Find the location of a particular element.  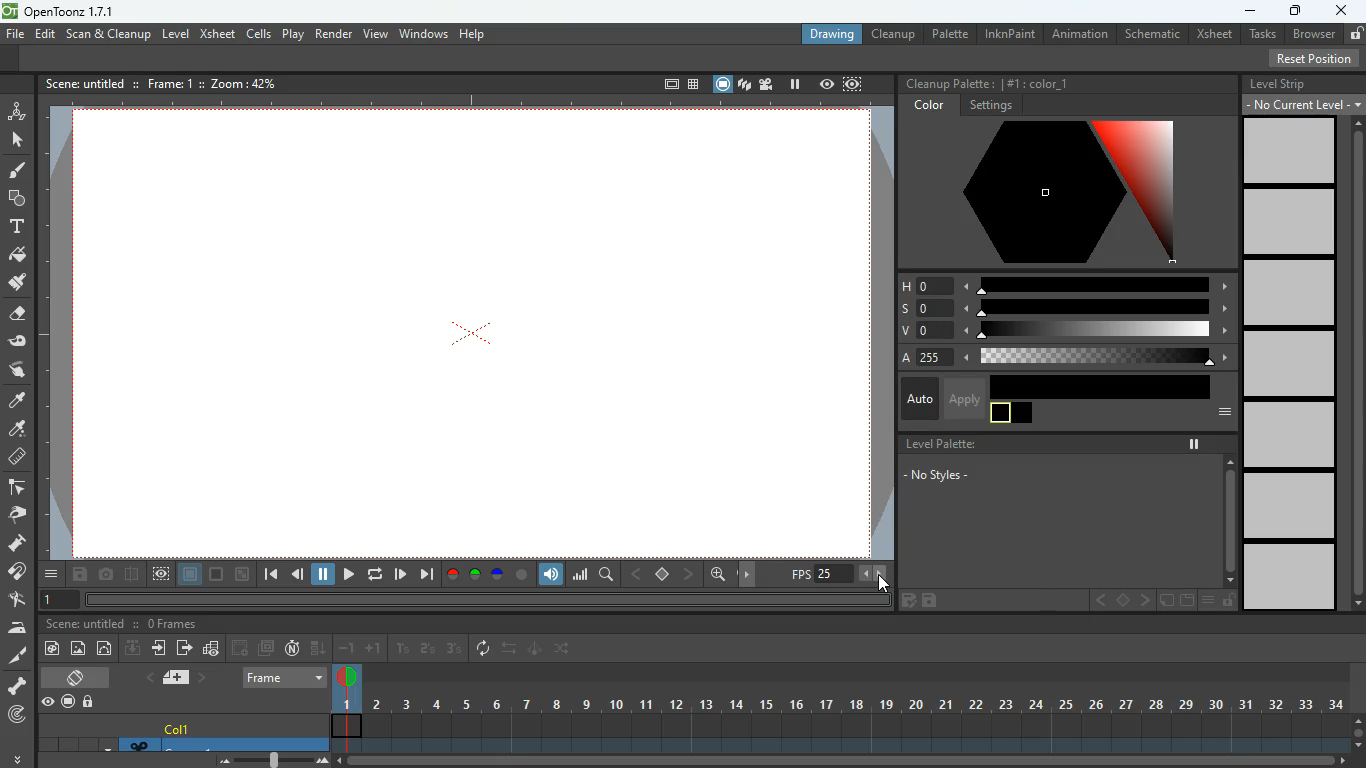

press is located at coordinates (14, 544).